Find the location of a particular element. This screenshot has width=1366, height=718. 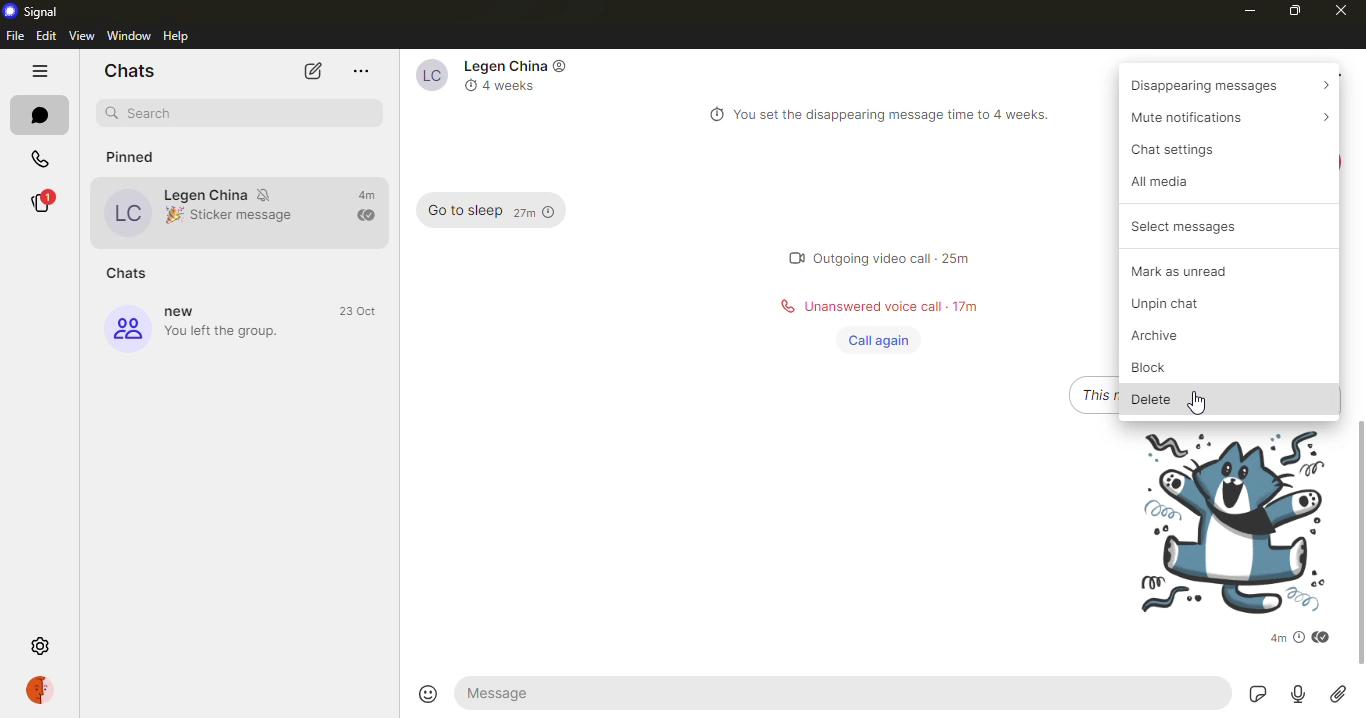

mute notifications is located at coordinates (1225, 116).